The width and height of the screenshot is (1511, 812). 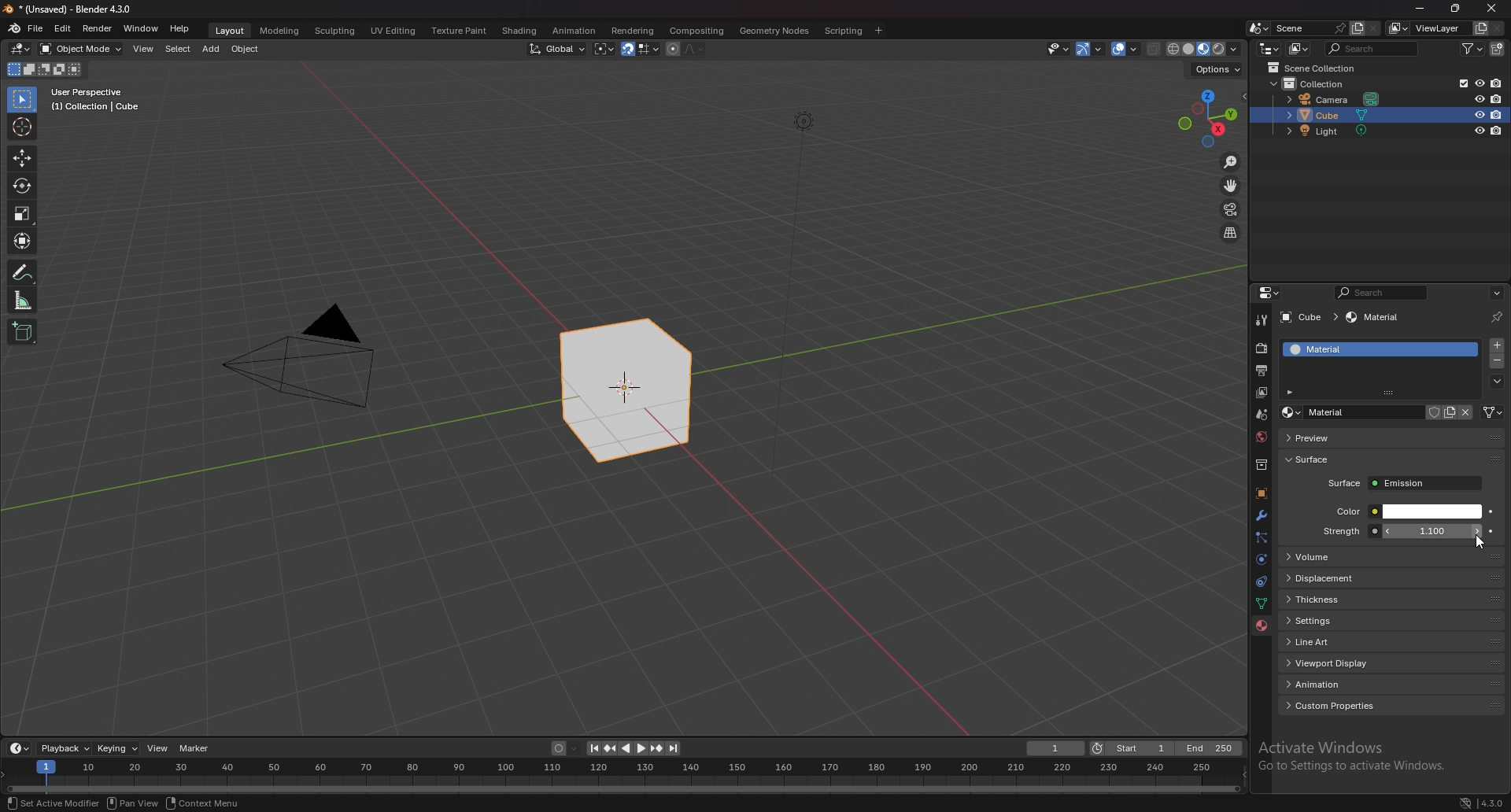 What do you see at coordinates (518, 31) in the screenshot?
I see `shading` at bounding box center [518, 31].